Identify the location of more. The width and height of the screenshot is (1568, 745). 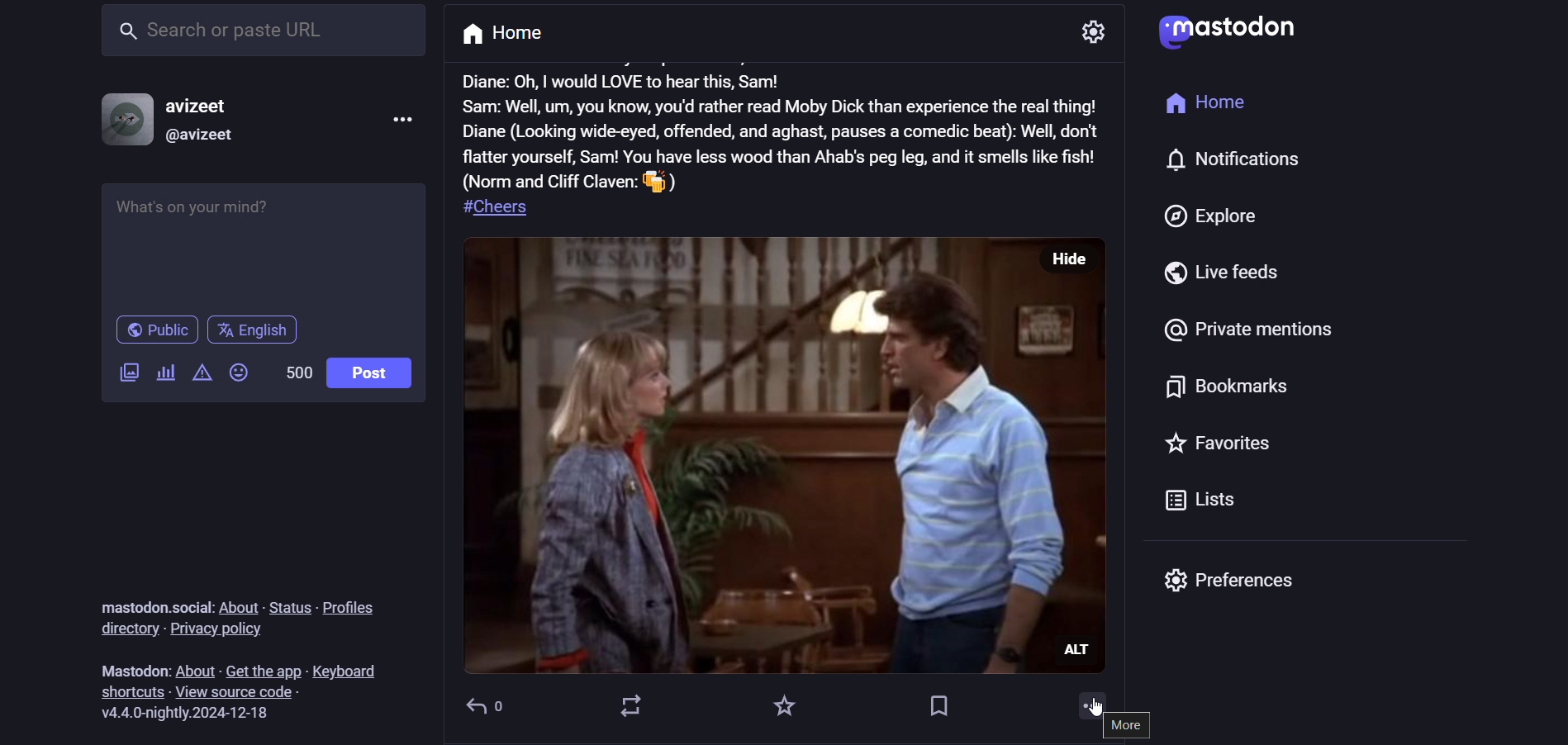
(1128, 728).